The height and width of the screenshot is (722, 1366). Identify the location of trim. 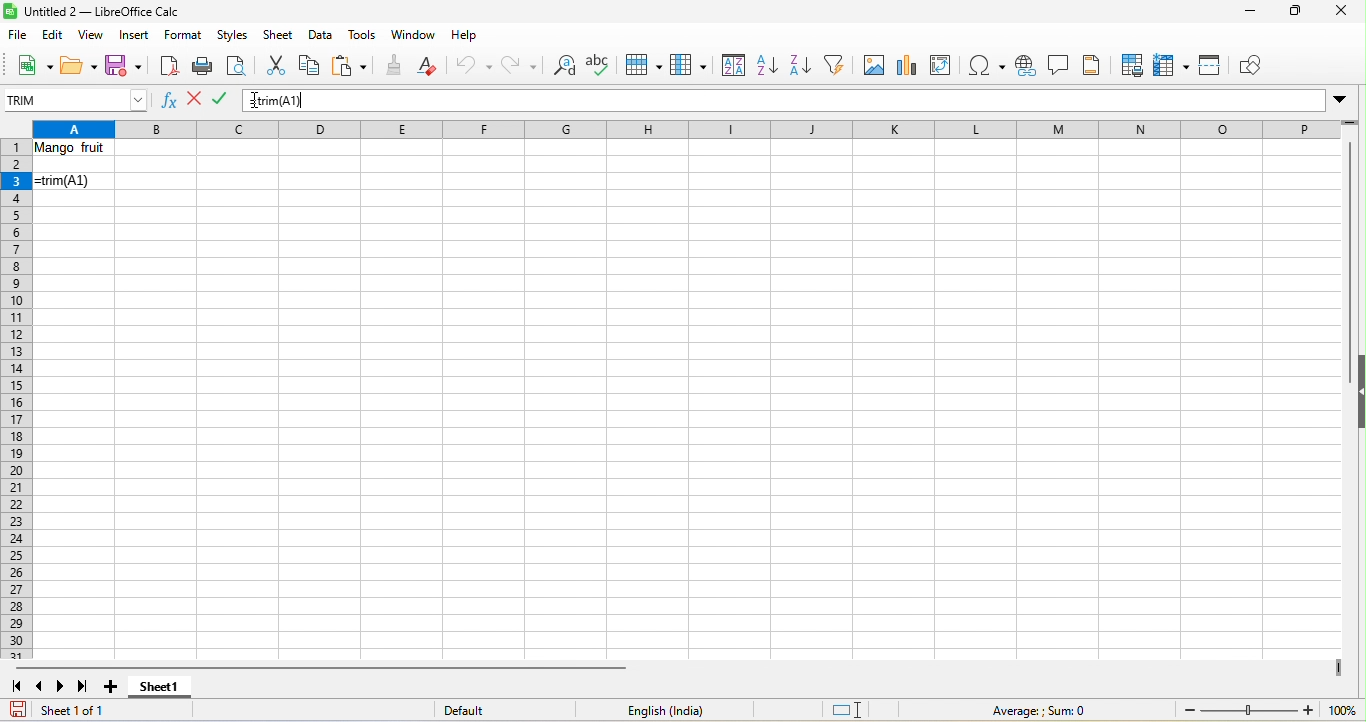
(78, 98).